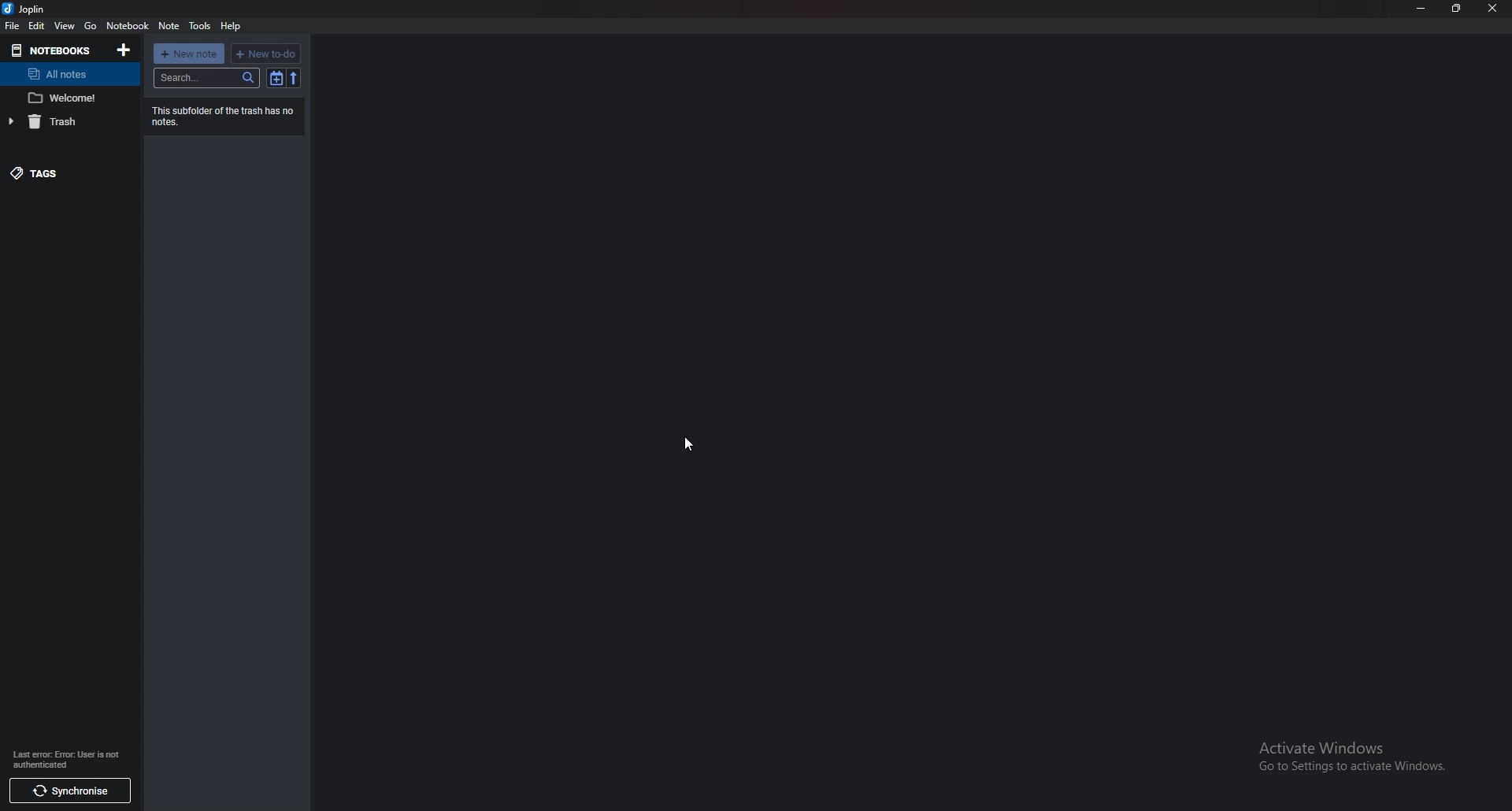 The height and width of the screenshot is (811, 1512). I want to click on Trash, so click(66, 124).